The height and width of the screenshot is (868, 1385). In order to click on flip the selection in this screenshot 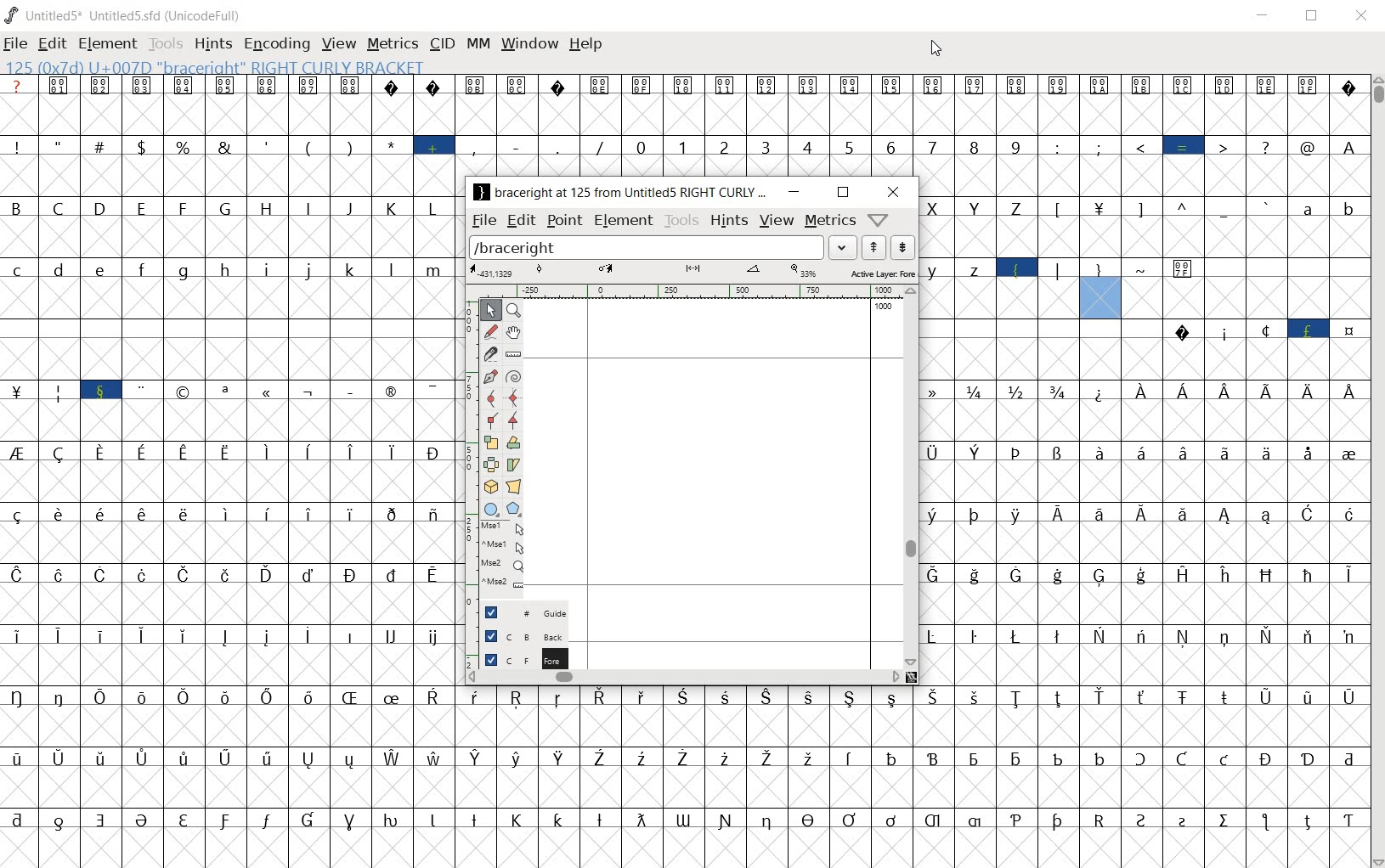, I will do `click(490, 464)`.